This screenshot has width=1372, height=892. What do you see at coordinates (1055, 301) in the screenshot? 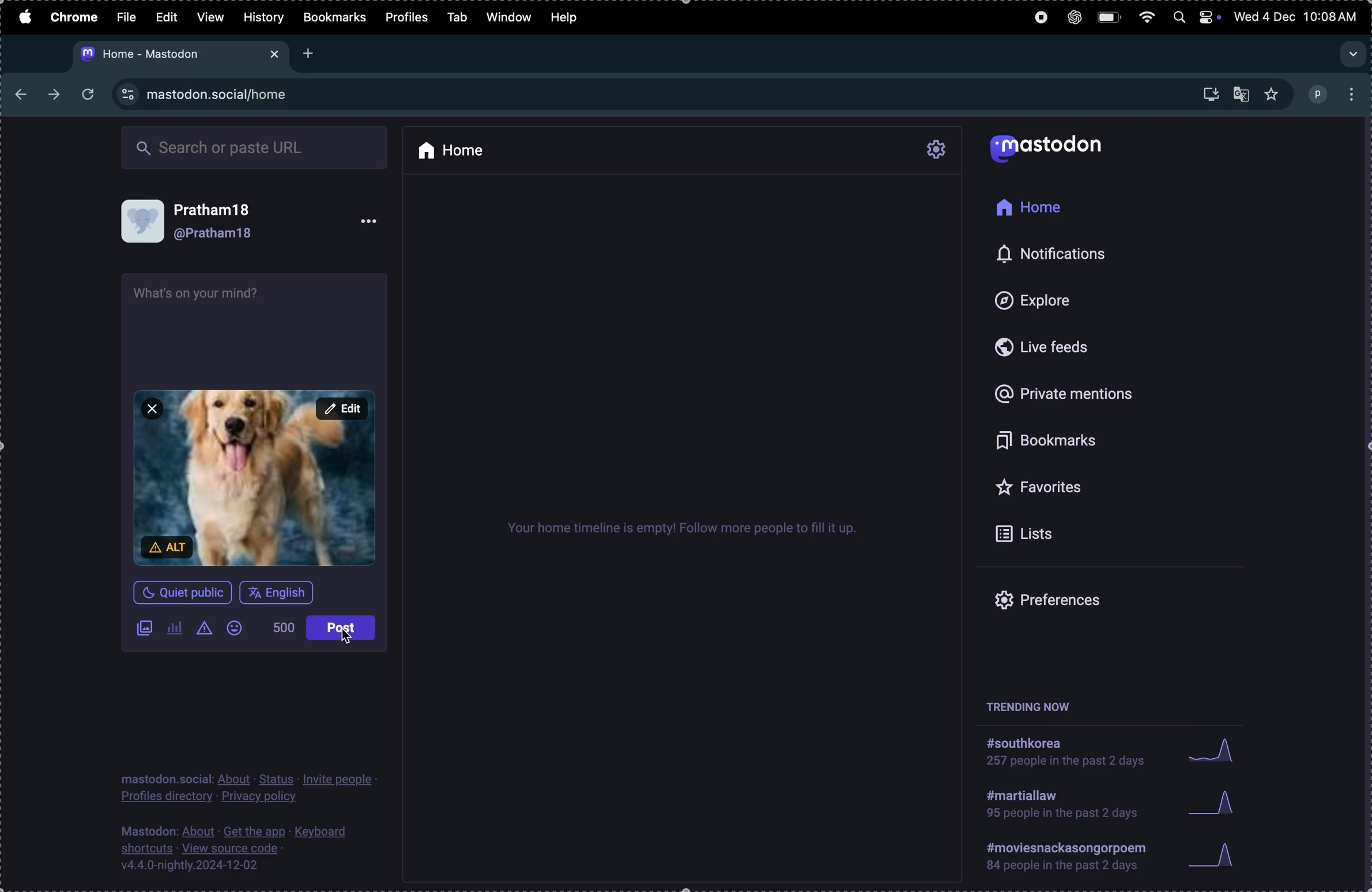
I see `Explore` at bounding box center [1055, 301].